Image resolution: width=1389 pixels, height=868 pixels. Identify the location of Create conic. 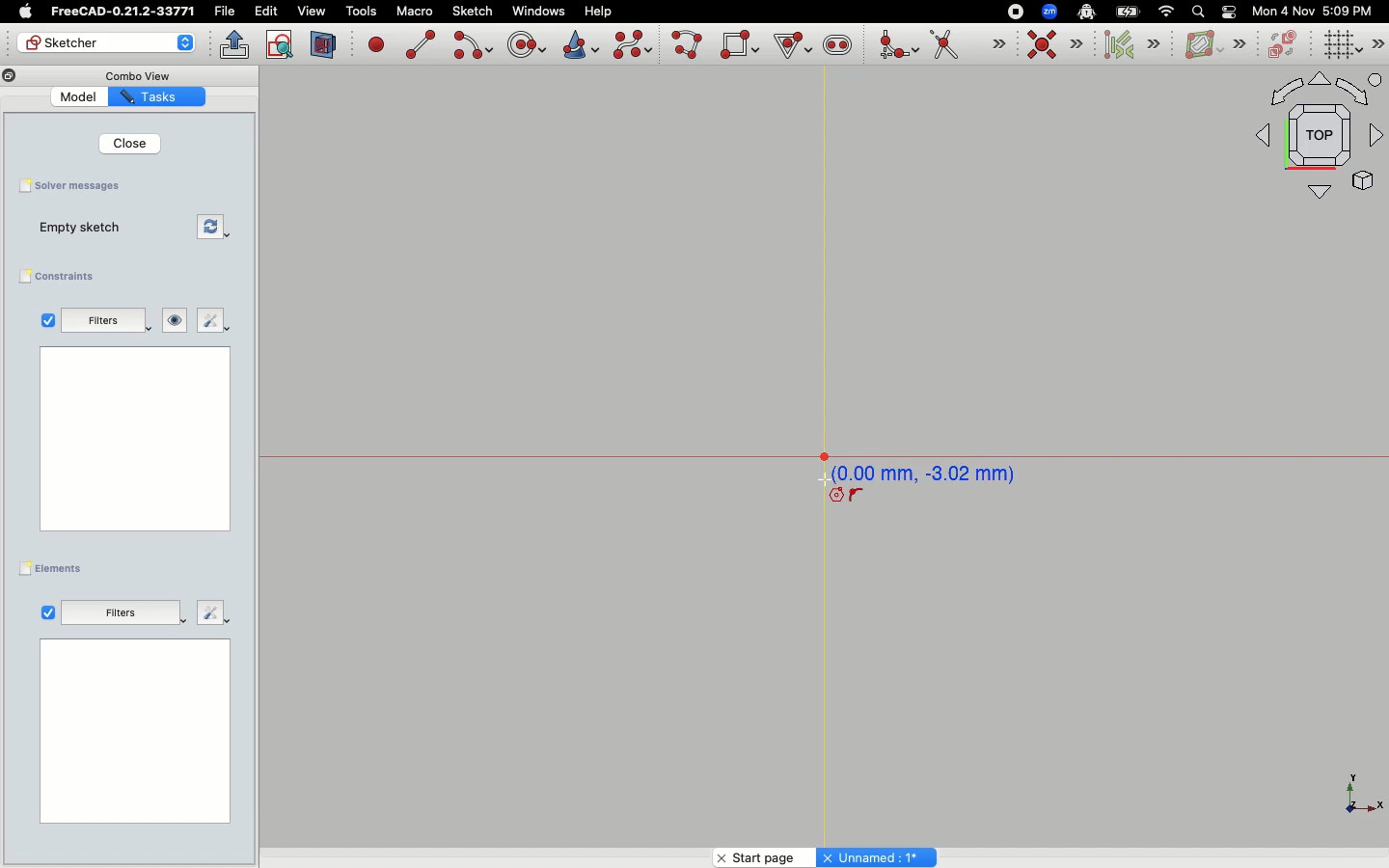
(579, 43).